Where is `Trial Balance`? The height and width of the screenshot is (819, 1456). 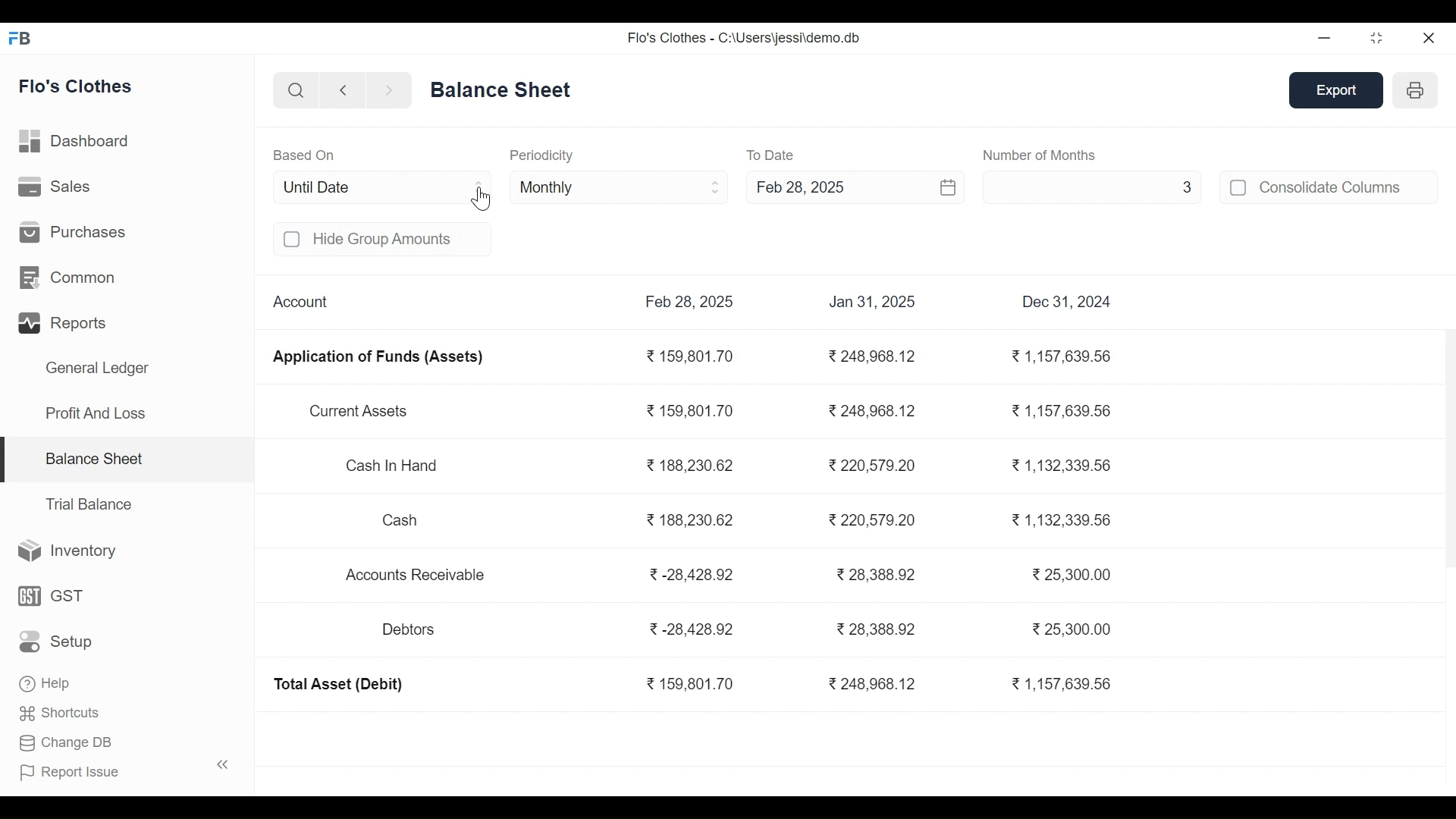
Trial Balance is located at coordinates (89, 504).